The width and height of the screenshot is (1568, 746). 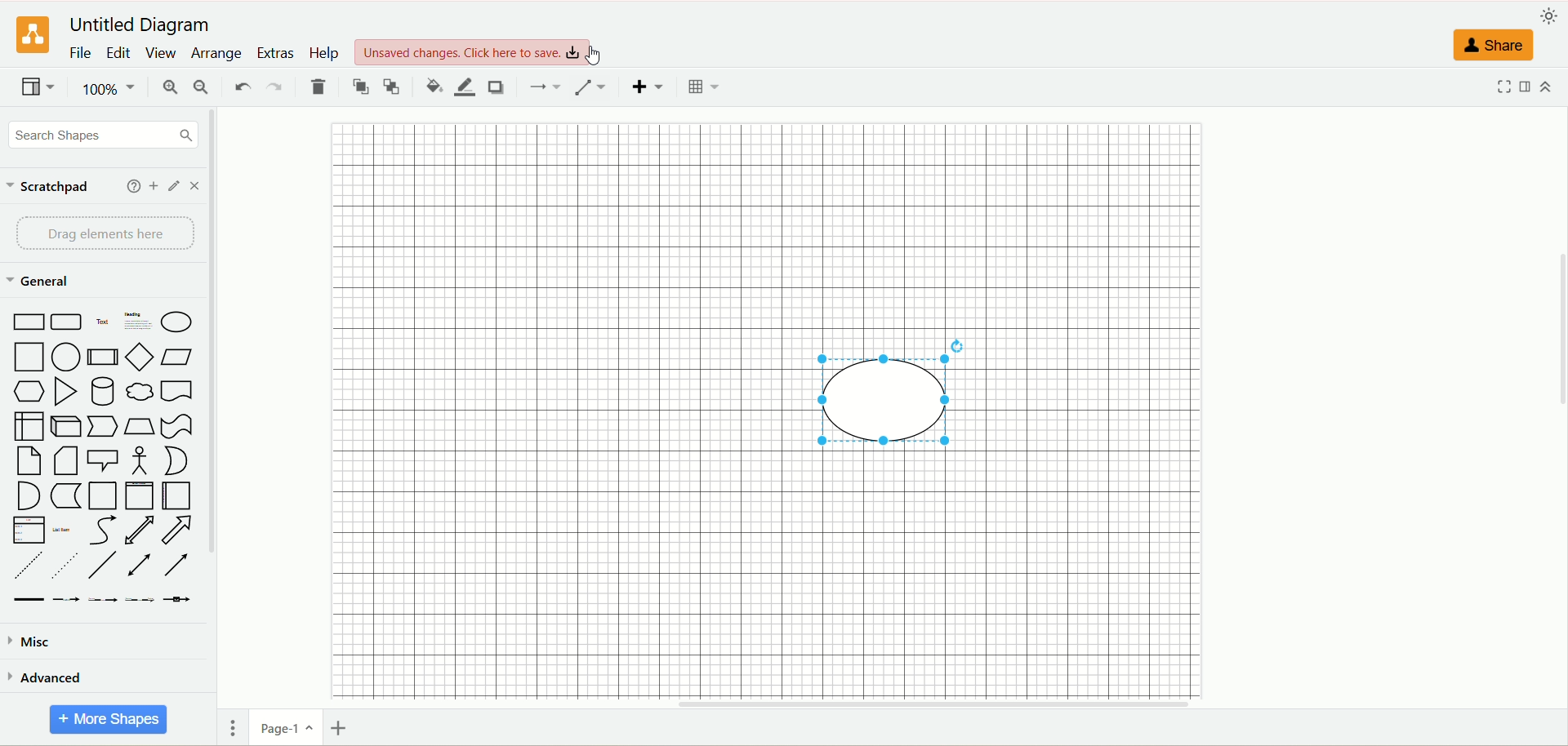 What do you see at coordinates (315, 87) in the screenshot?
I see `delete` at bounding box center [315, 87].